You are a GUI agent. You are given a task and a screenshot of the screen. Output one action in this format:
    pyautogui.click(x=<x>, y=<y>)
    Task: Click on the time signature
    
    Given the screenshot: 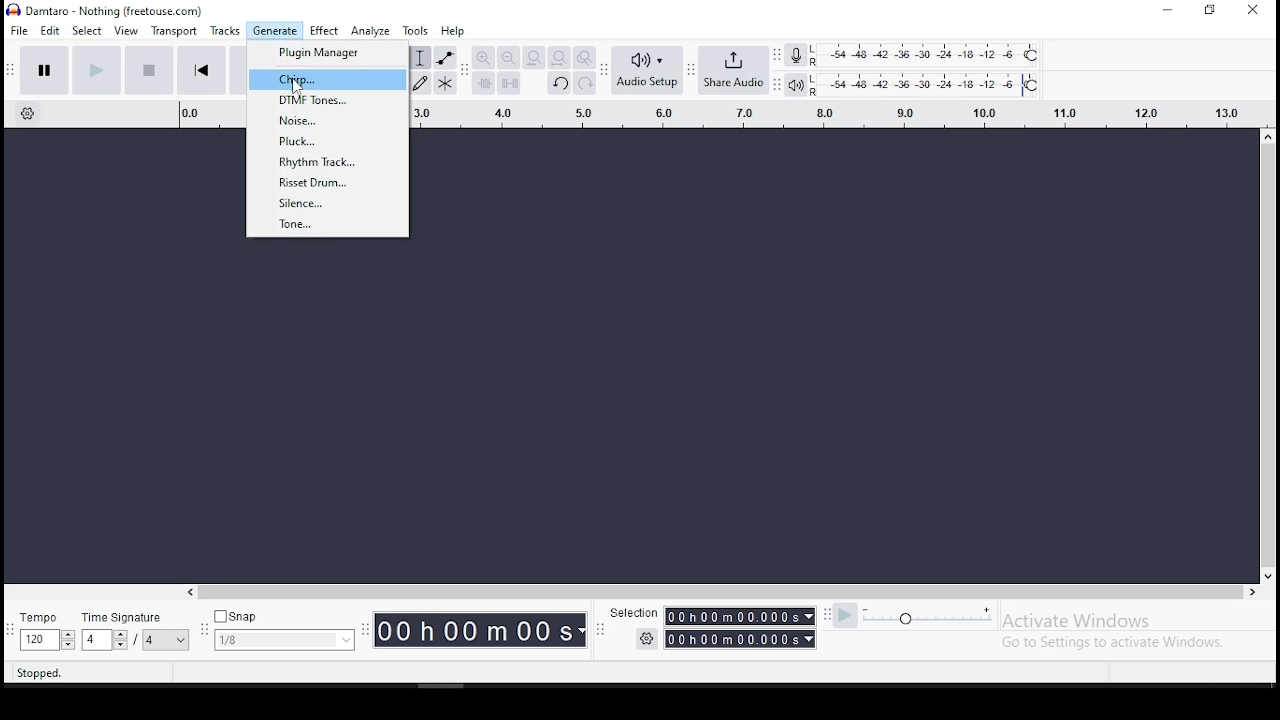 What is the action you would take?
    pyautogui.click(x=135, y=630)
    